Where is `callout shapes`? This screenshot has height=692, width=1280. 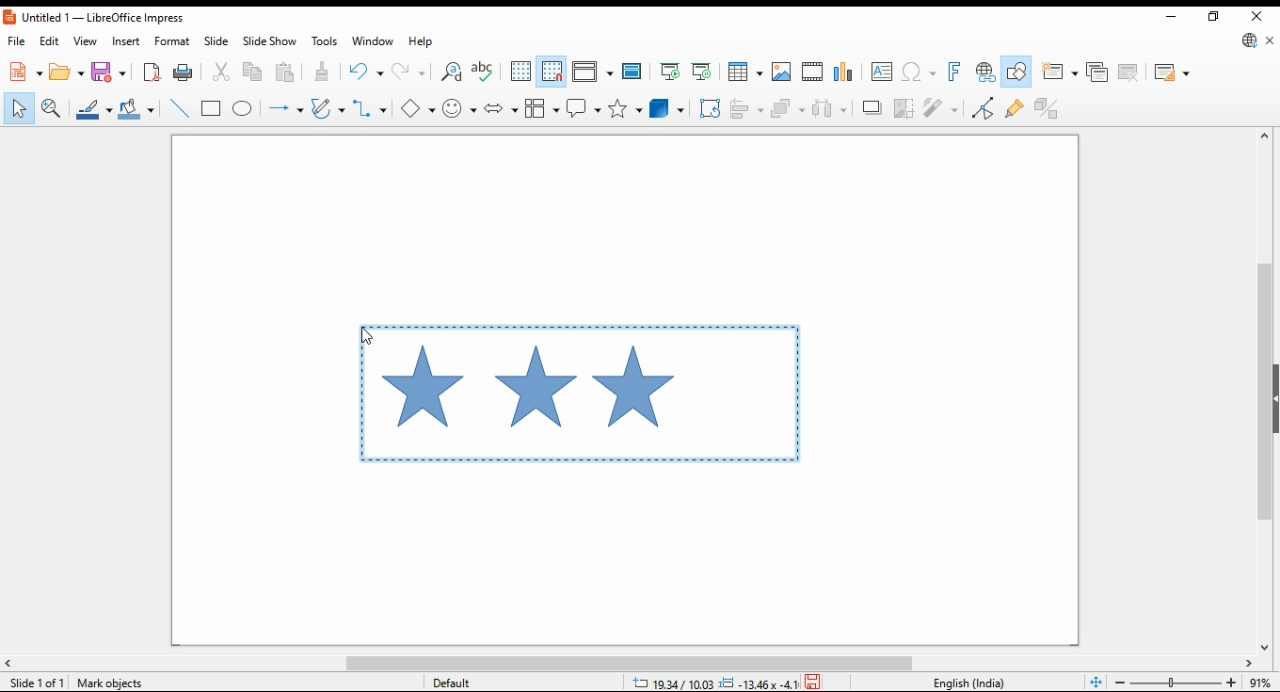
callout shapes is located at coordinates (583, 108).